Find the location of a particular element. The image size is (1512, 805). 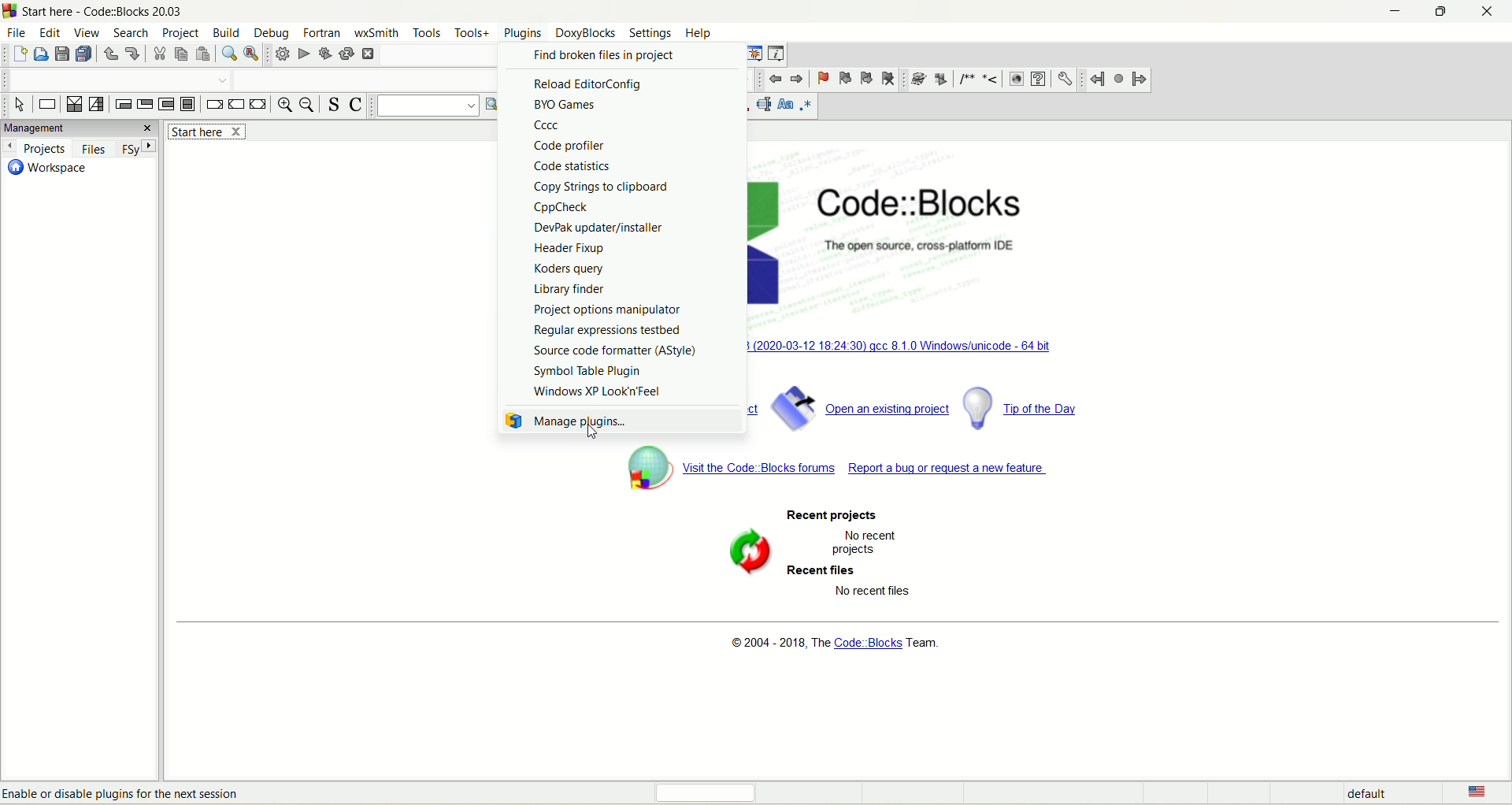

project options manipulator is located at coordinates (608, 310).